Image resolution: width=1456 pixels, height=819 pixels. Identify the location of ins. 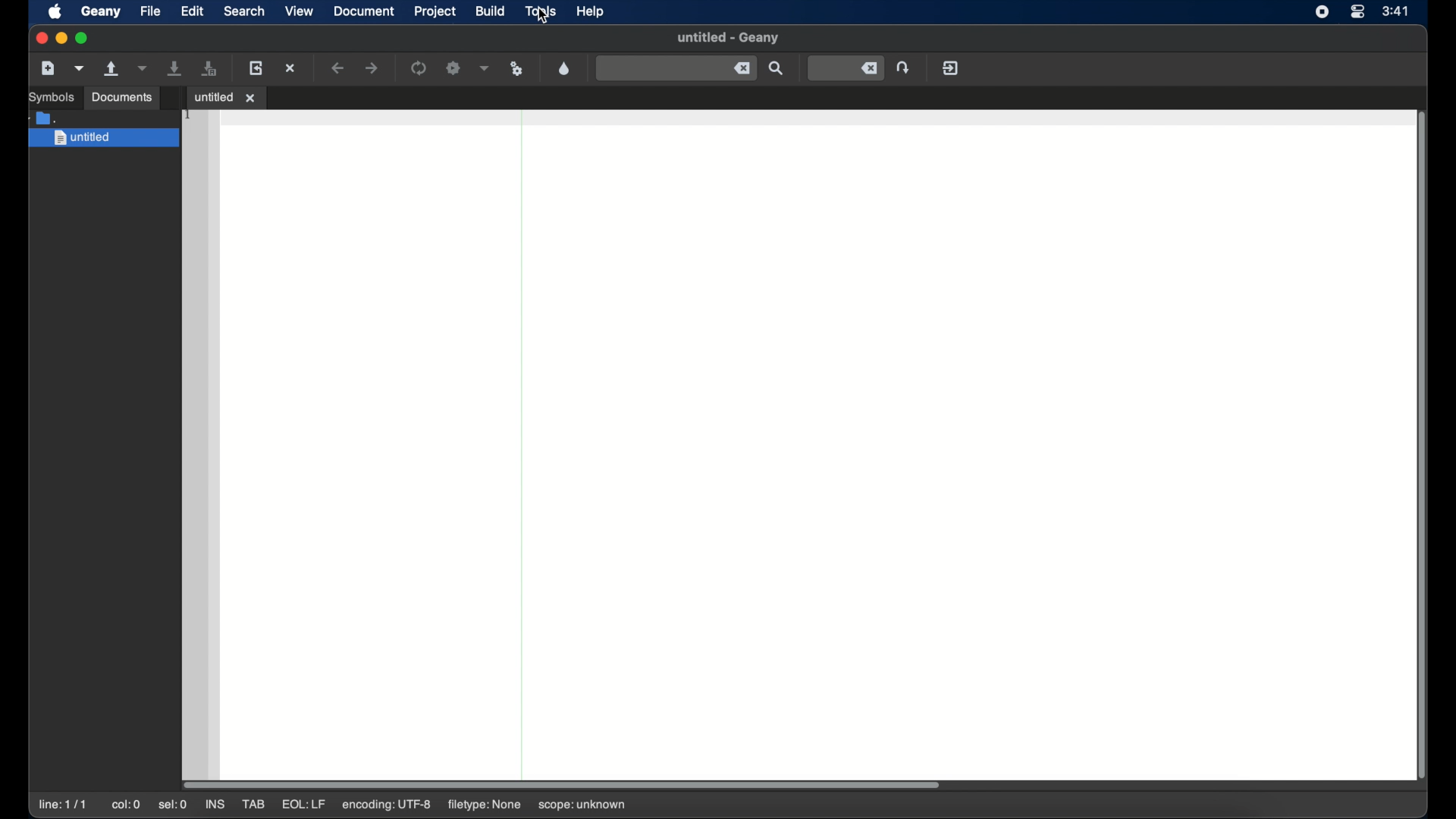
(217, 805).